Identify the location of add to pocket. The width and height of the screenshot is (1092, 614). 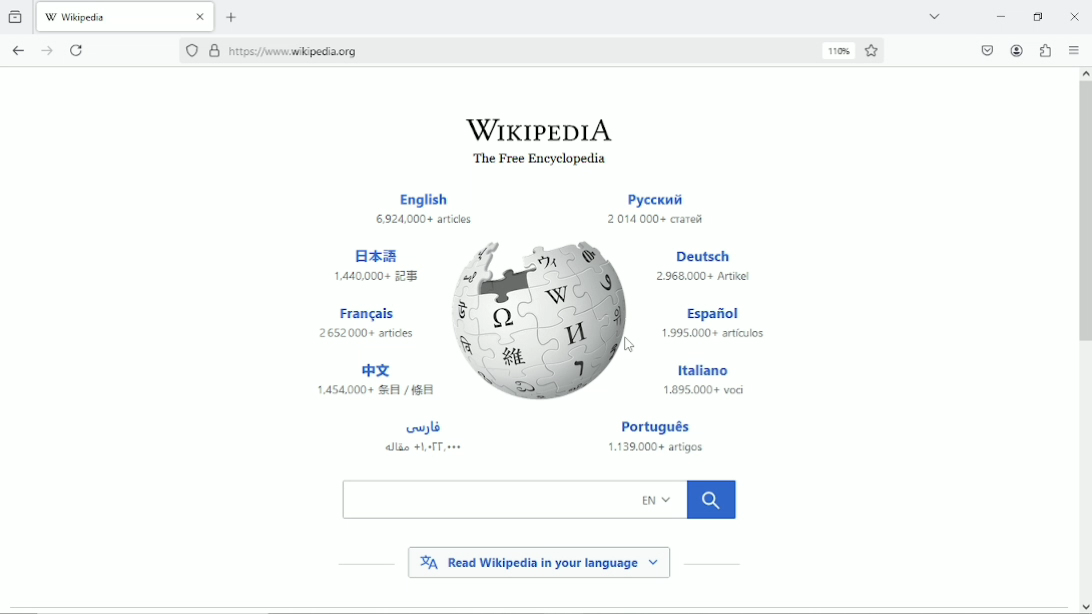
(985, 50).